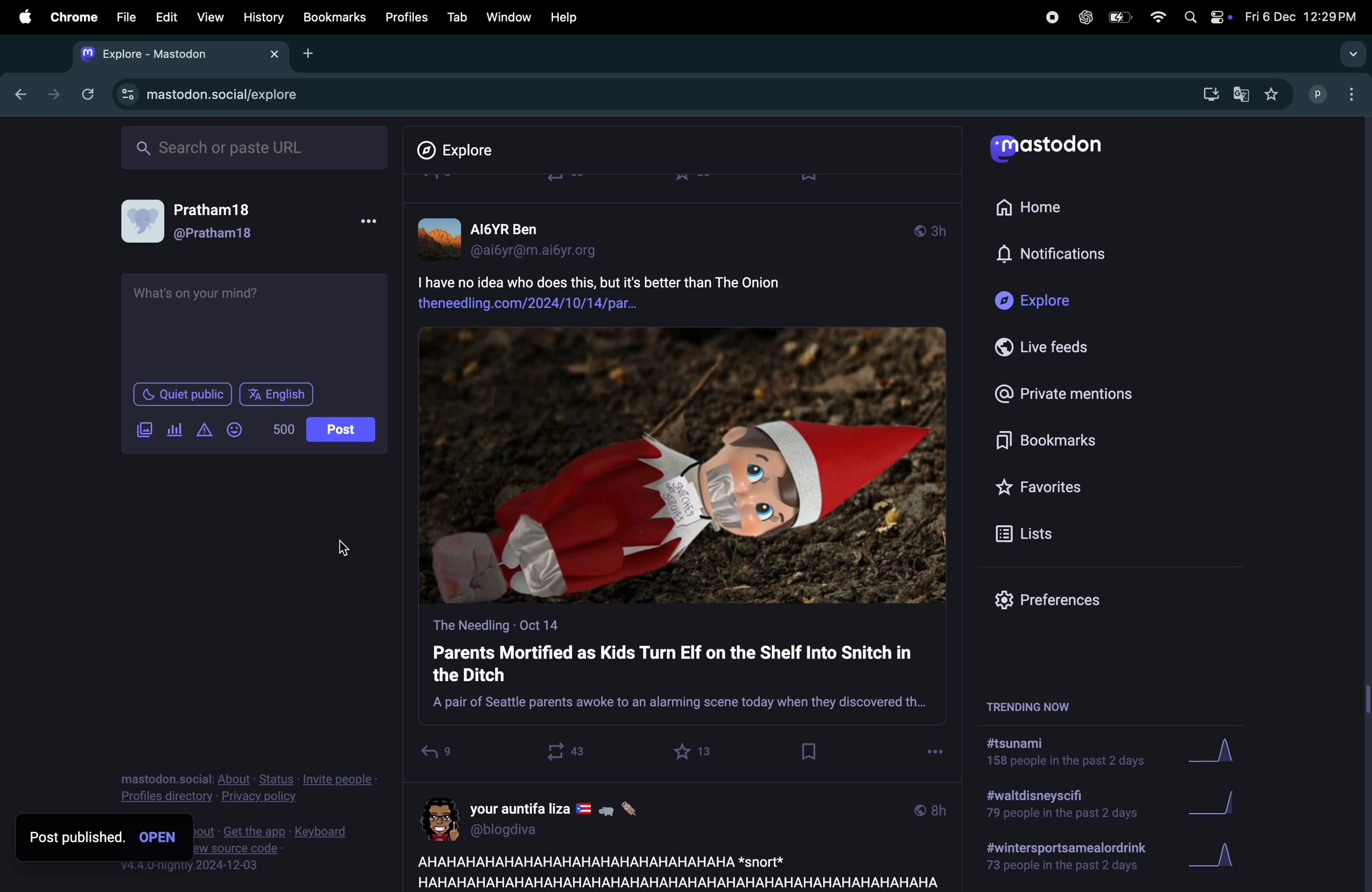 This screenshot has width=1372, height=892. I want to click on 500 words, so click(282, 429).